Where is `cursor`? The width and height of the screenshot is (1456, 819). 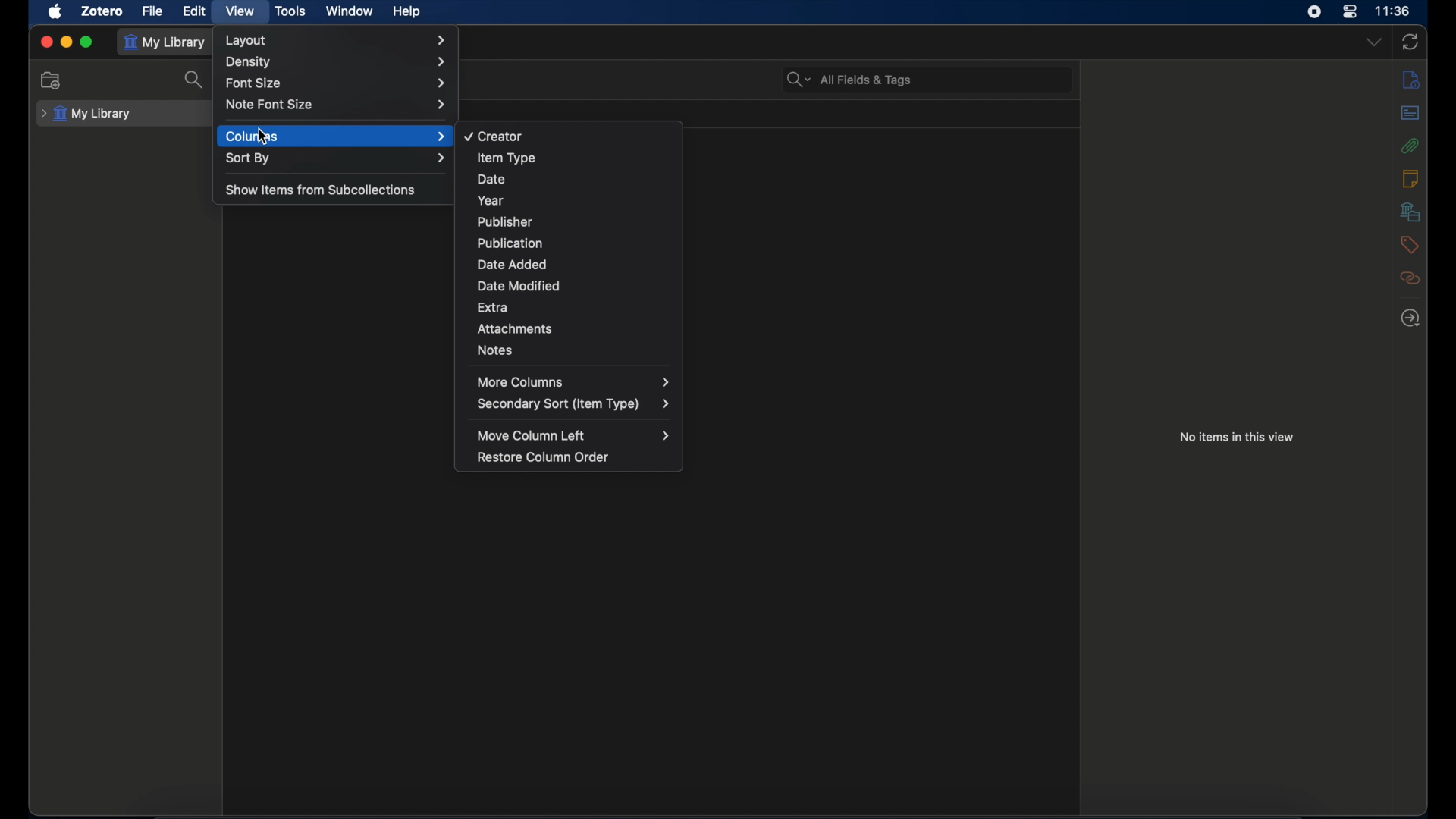 cursor is located at coordinates (264, 137).